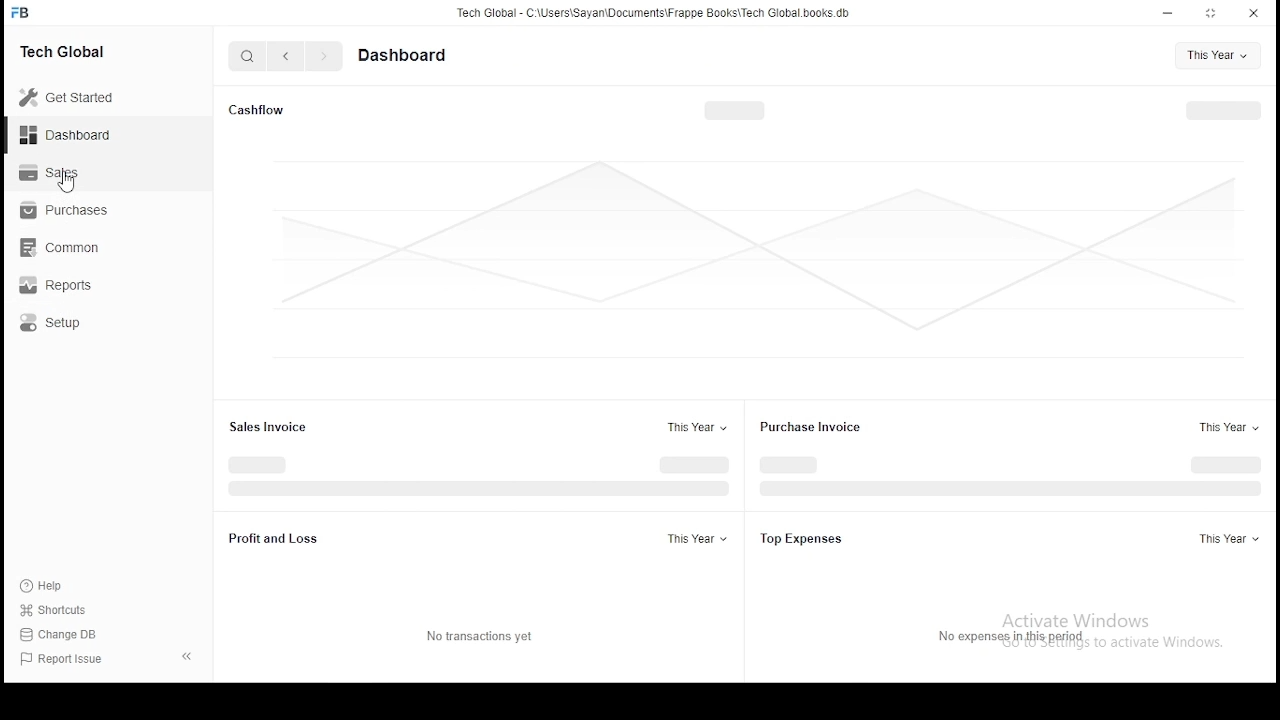 This screenshot has height=720, width=1280. Describe the element at coordinates (1227, 539) in the screenshot. I see `this year` at that location.